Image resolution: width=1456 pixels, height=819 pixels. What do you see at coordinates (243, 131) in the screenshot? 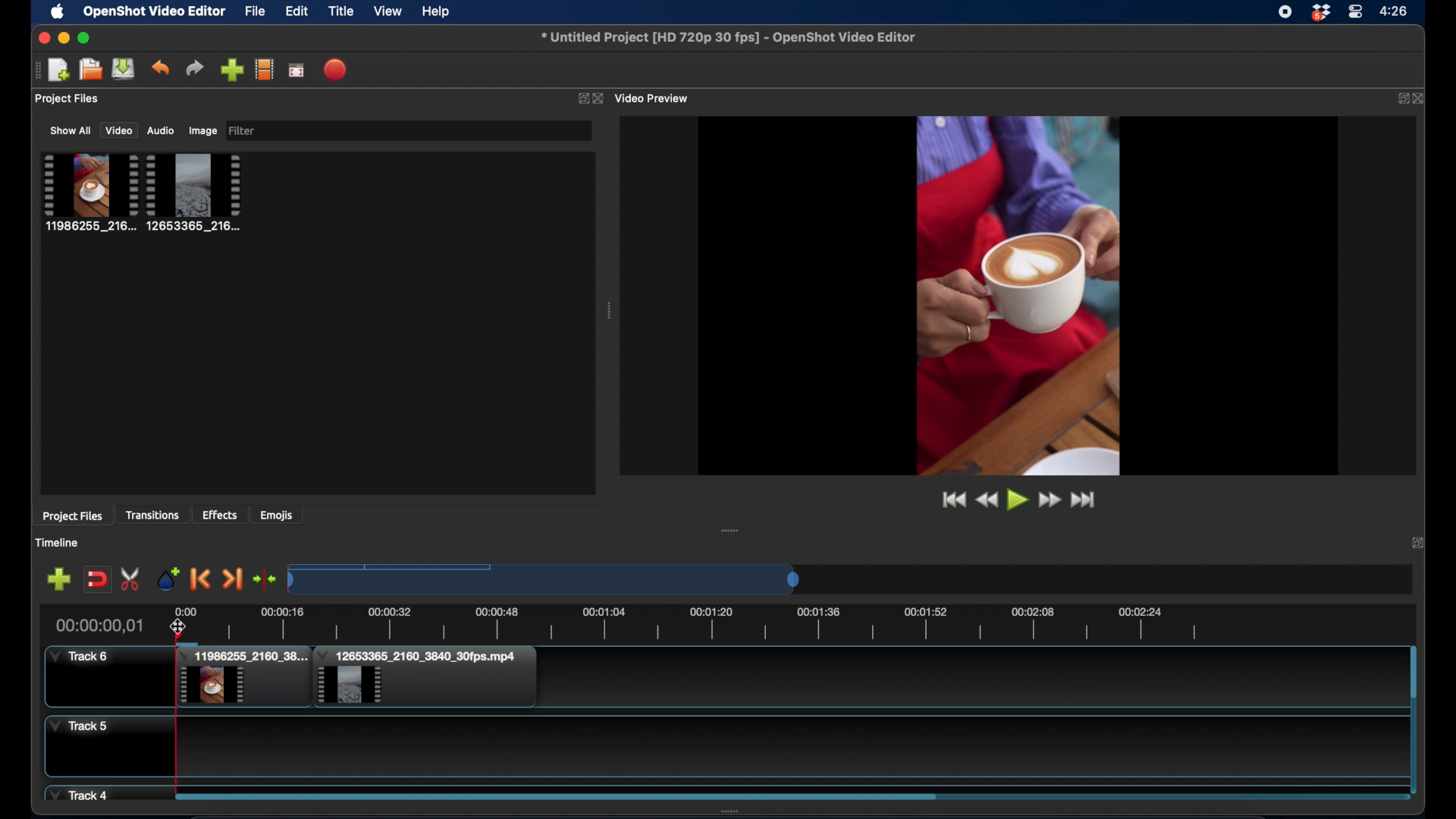
I see `filter` at bounding box center [243, 131].